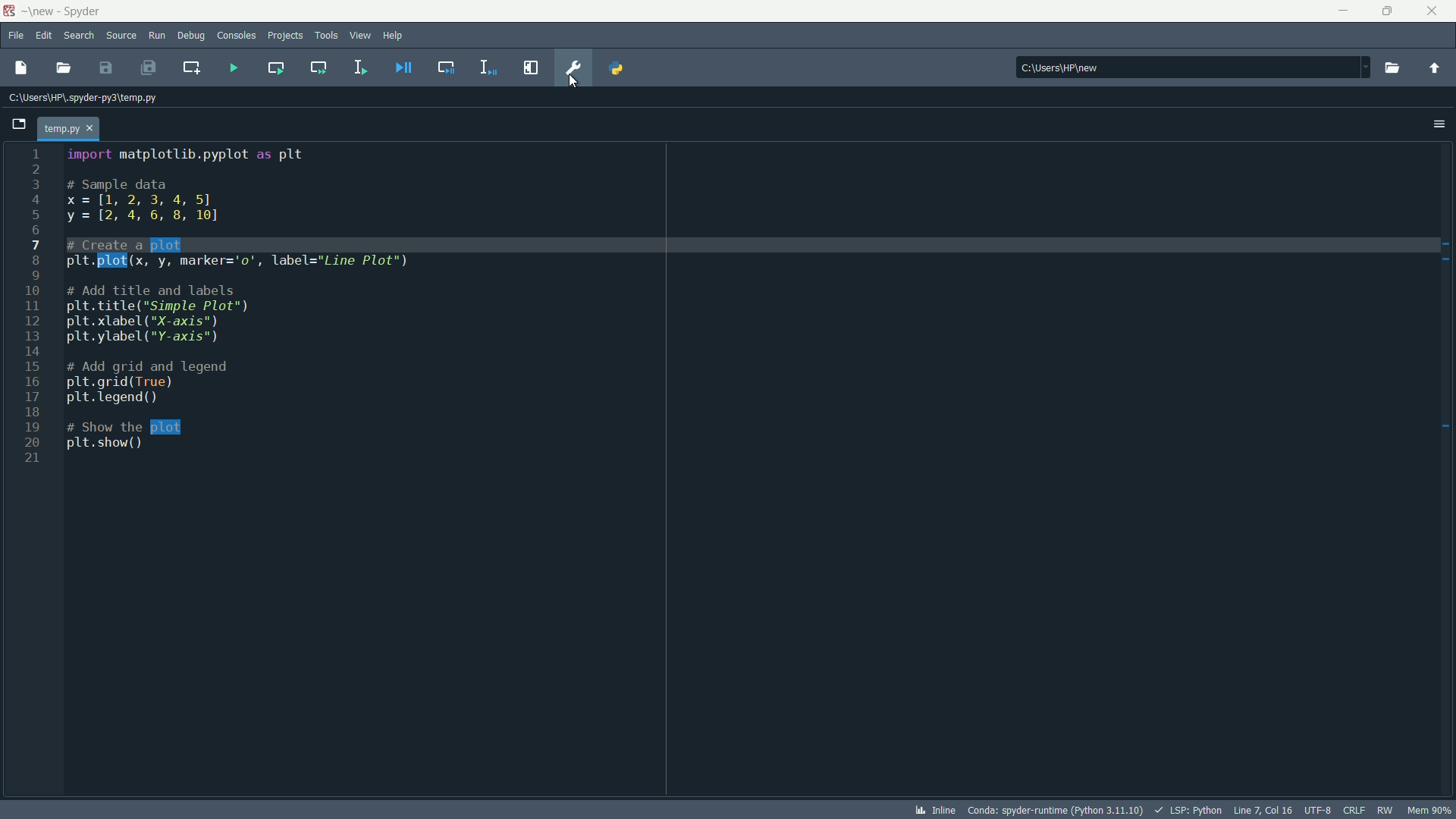 The width and height of the screenshot is (1456, 819). What do you see at coordinates (275, 67) in the screenshot?
I see `run current cell` at bounding box center [275, 67].